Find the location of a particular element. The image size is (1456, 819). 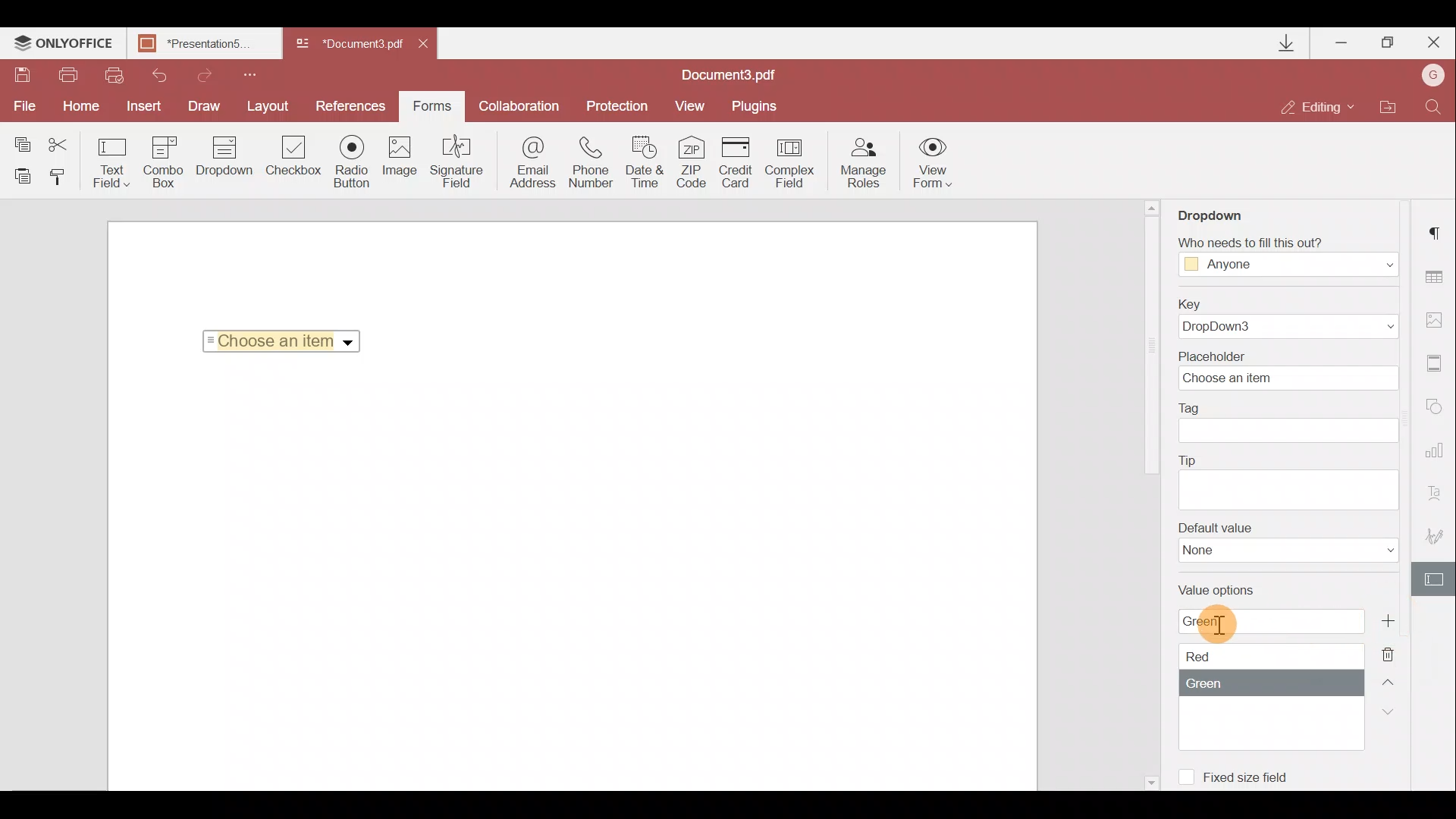

Document name is located at coordinates (736, 74).